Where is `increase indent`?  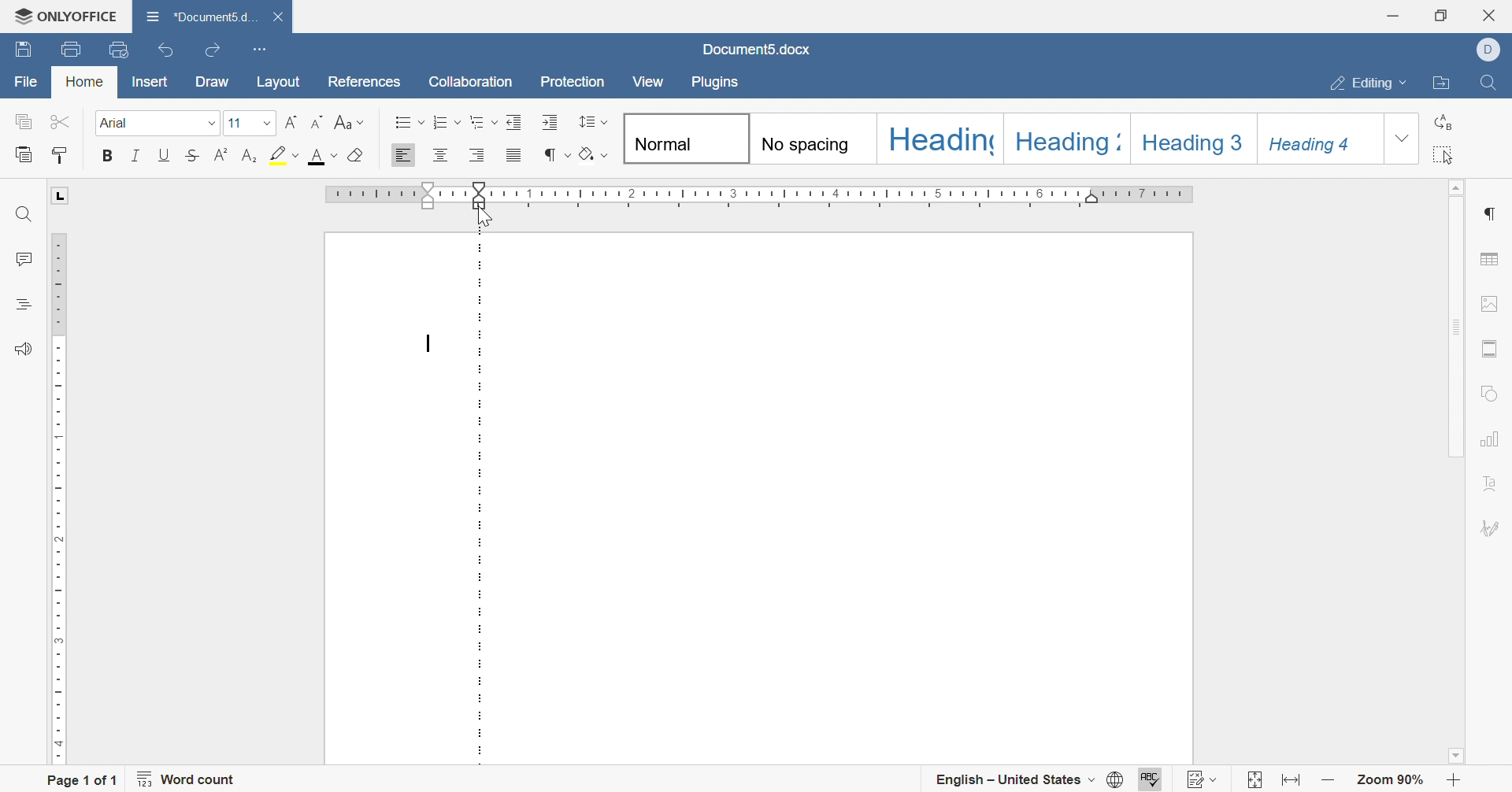
increase indent is located at coordinates (548, 121).